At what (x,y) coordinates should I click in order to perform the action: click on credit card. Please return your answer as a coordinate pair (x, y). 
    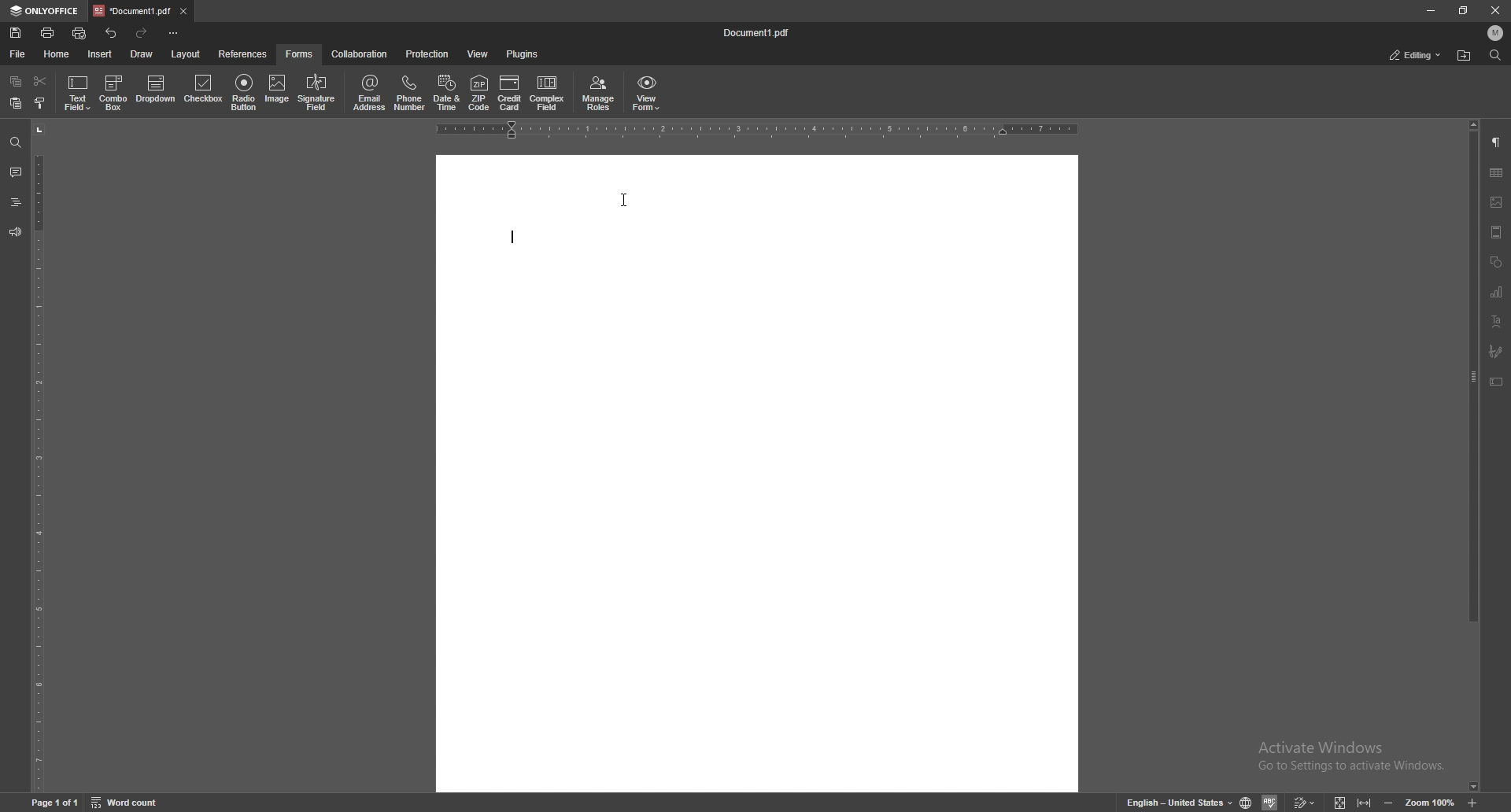
    Looking at the image, I should click on (509, 94).